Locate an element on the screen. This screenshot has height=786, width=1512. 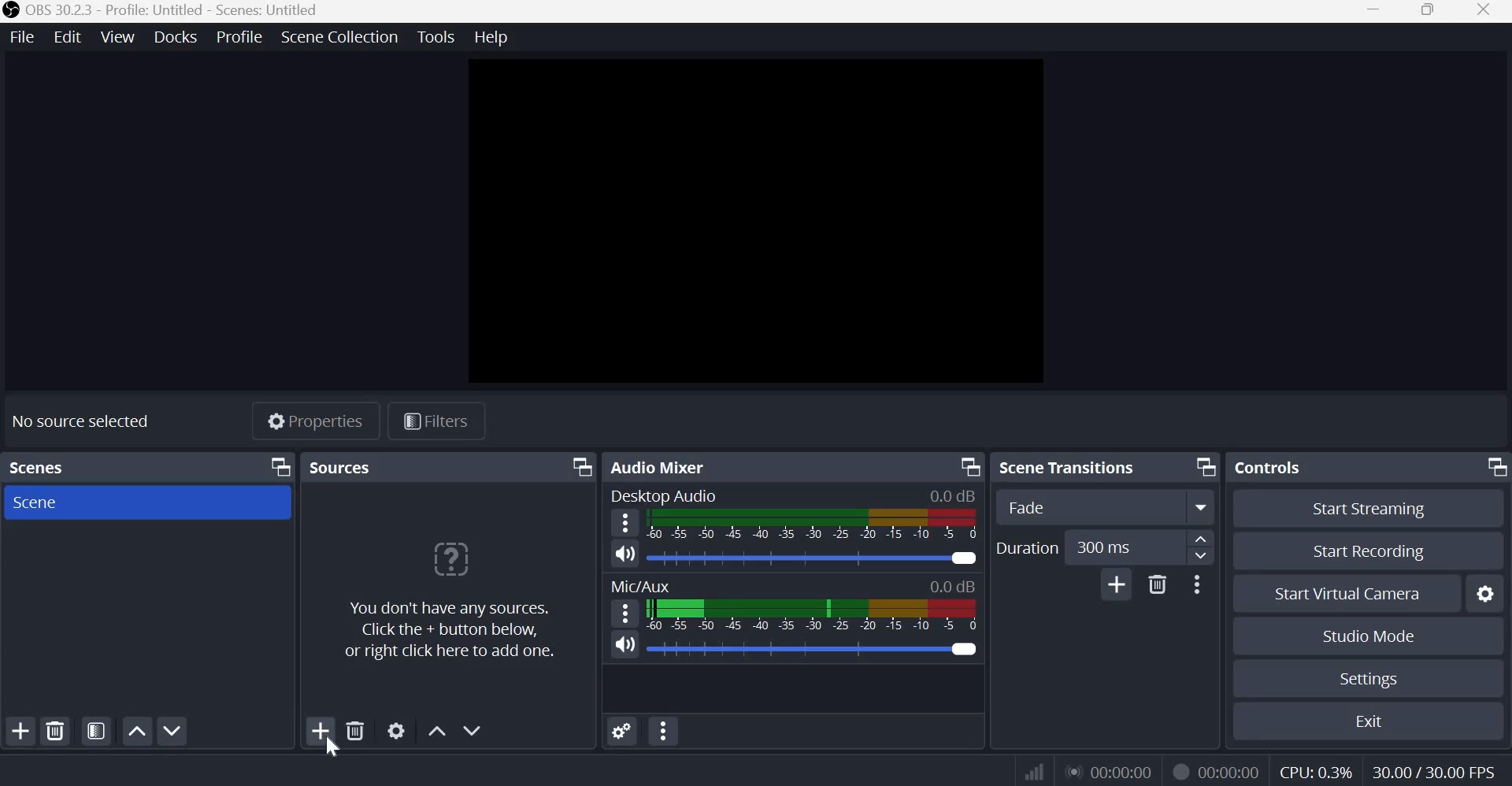
Move source(s) down is located at coordinates (474, 729).